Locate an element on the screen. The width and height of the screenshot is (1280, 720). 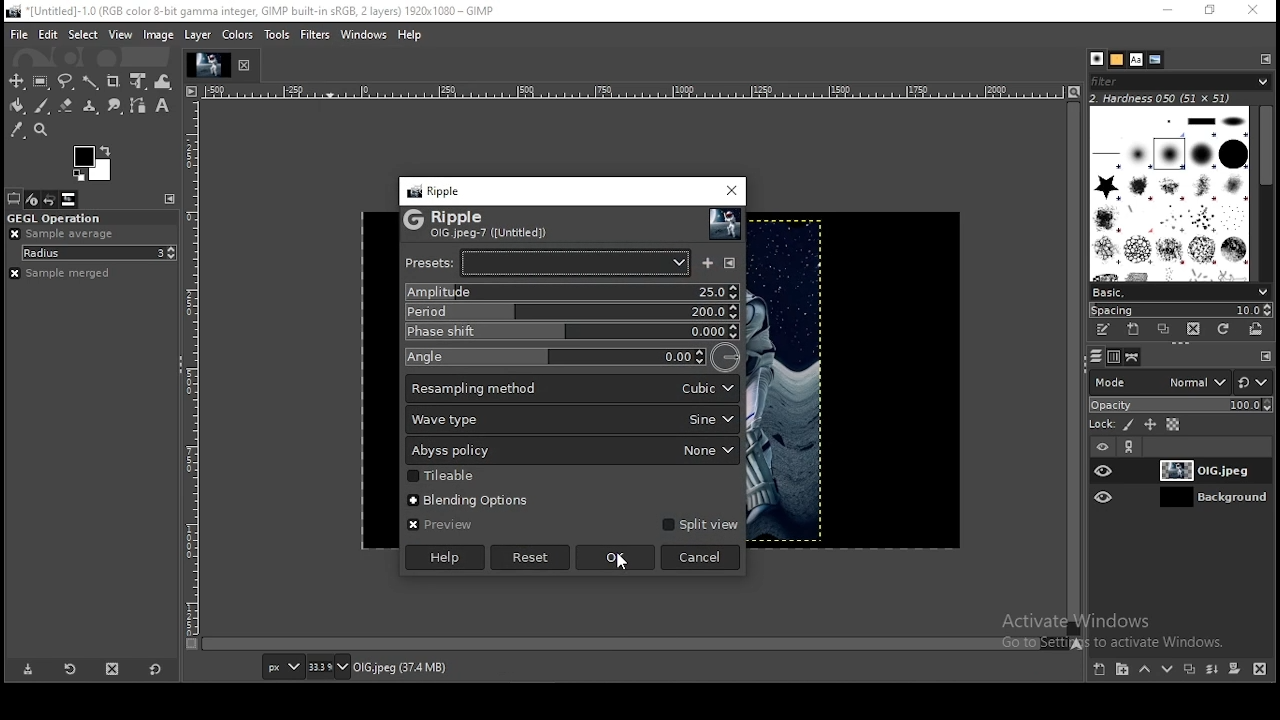
channels  is located at coordinates (1115, 357).